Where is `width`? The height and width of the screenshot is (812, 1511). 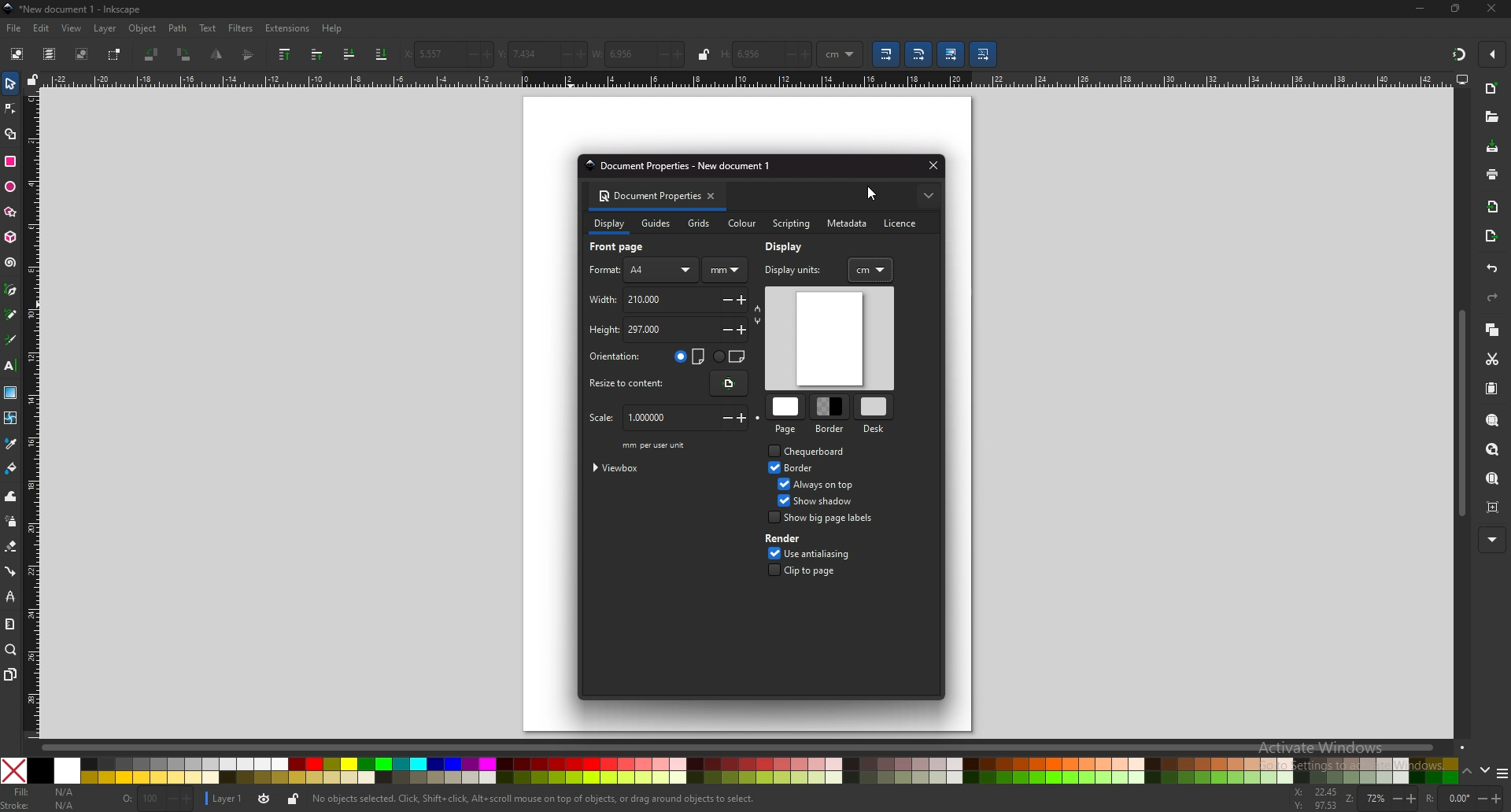
width is located at coordinates (638, 299).